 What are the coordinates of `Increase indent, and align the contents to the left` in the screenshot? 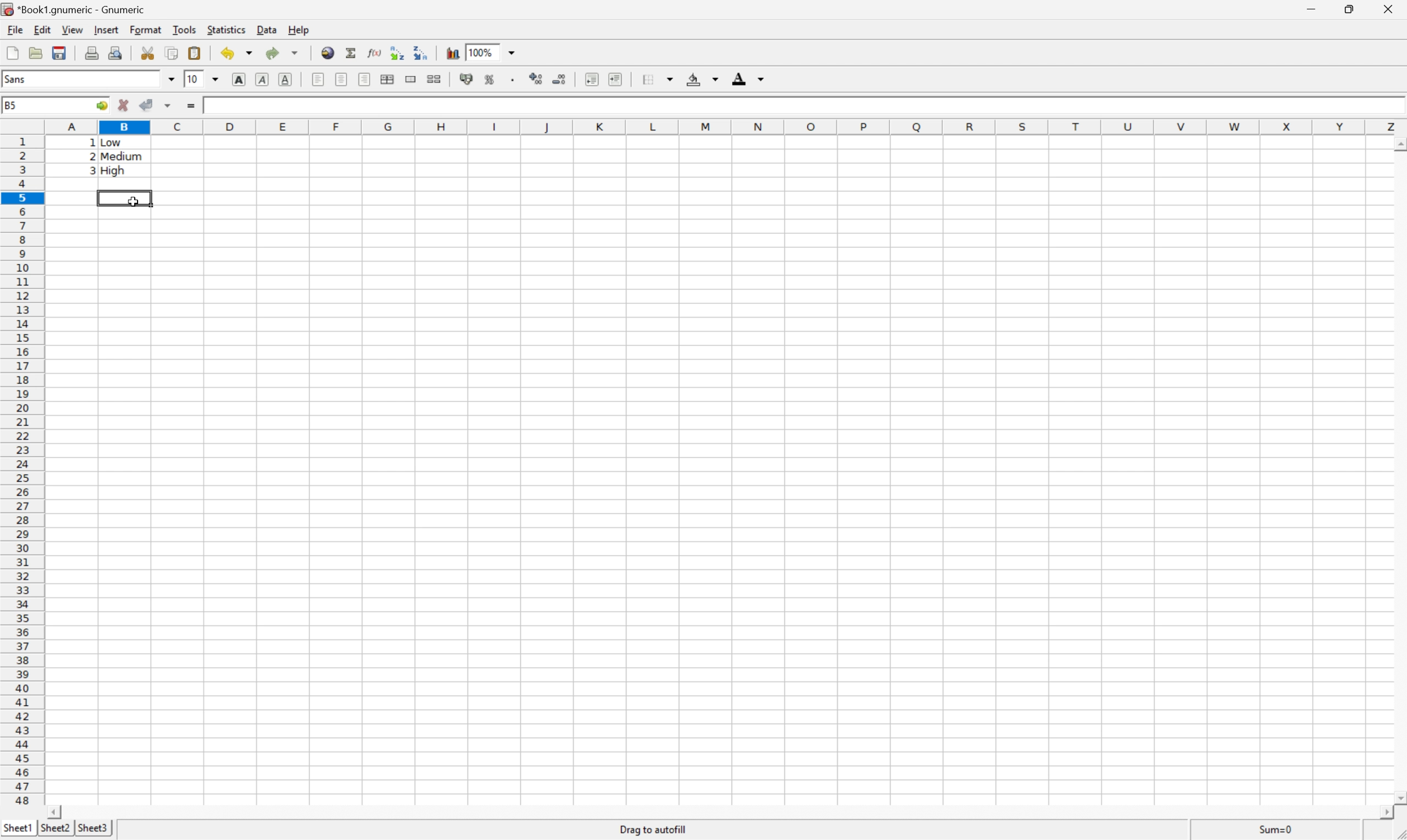 It's located at (615, 77).